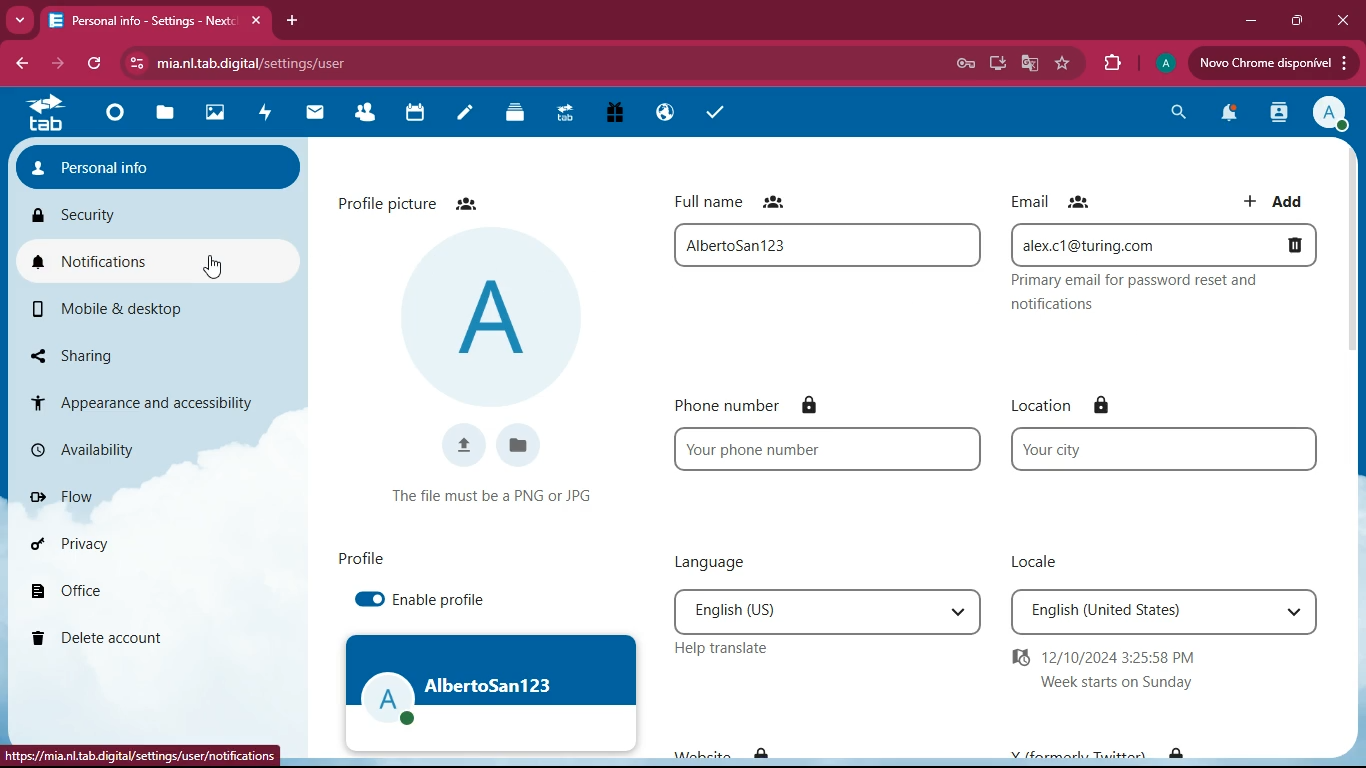 Image resolution: width=1366 pixels, height=768 pixels. What do you see at coordinates (116, 591) in the screenshot?
I see `office` at bounding box center [116, 591].